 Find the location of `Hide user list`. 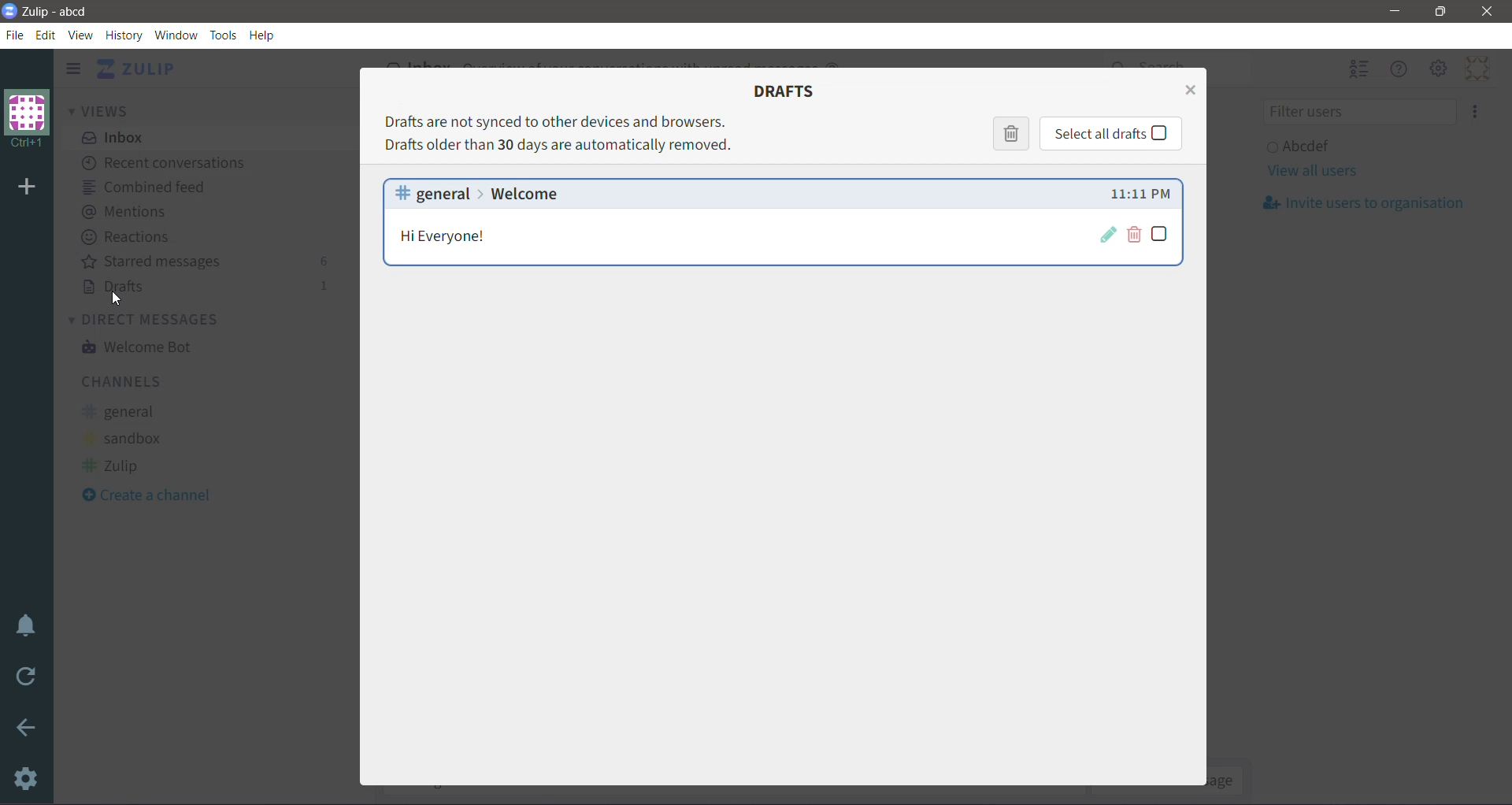

Hide user list is located at coordinates (1357, 70).